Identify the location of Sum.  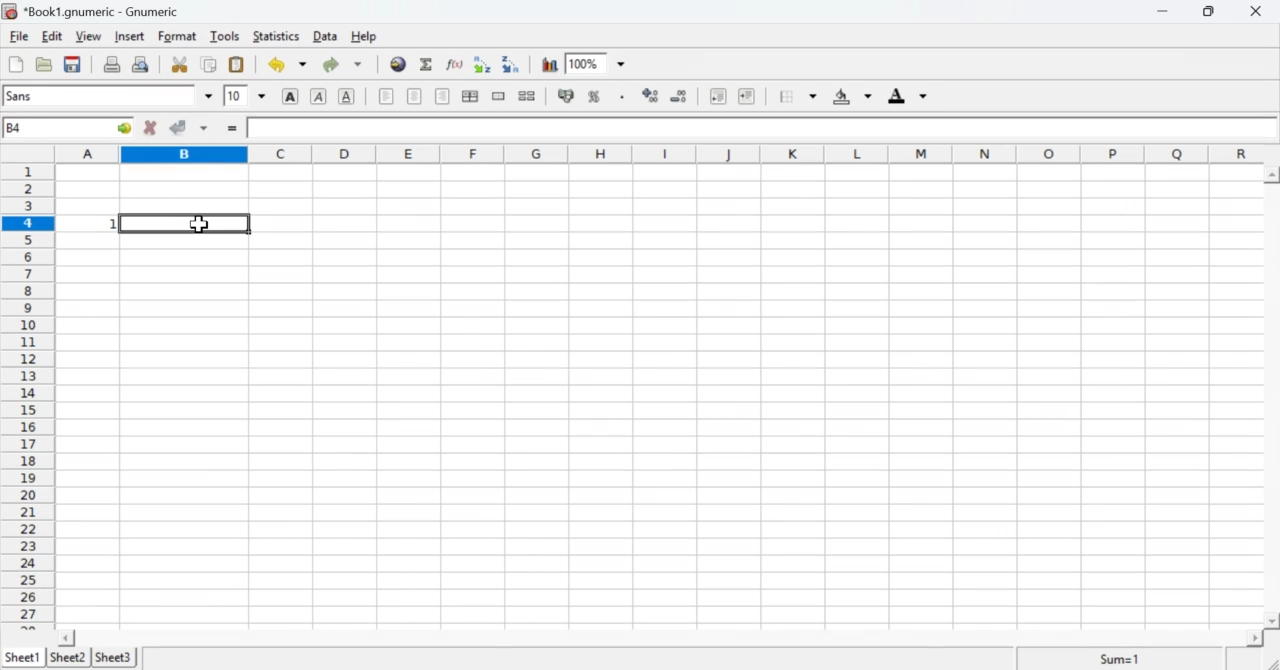
(1124, 658).